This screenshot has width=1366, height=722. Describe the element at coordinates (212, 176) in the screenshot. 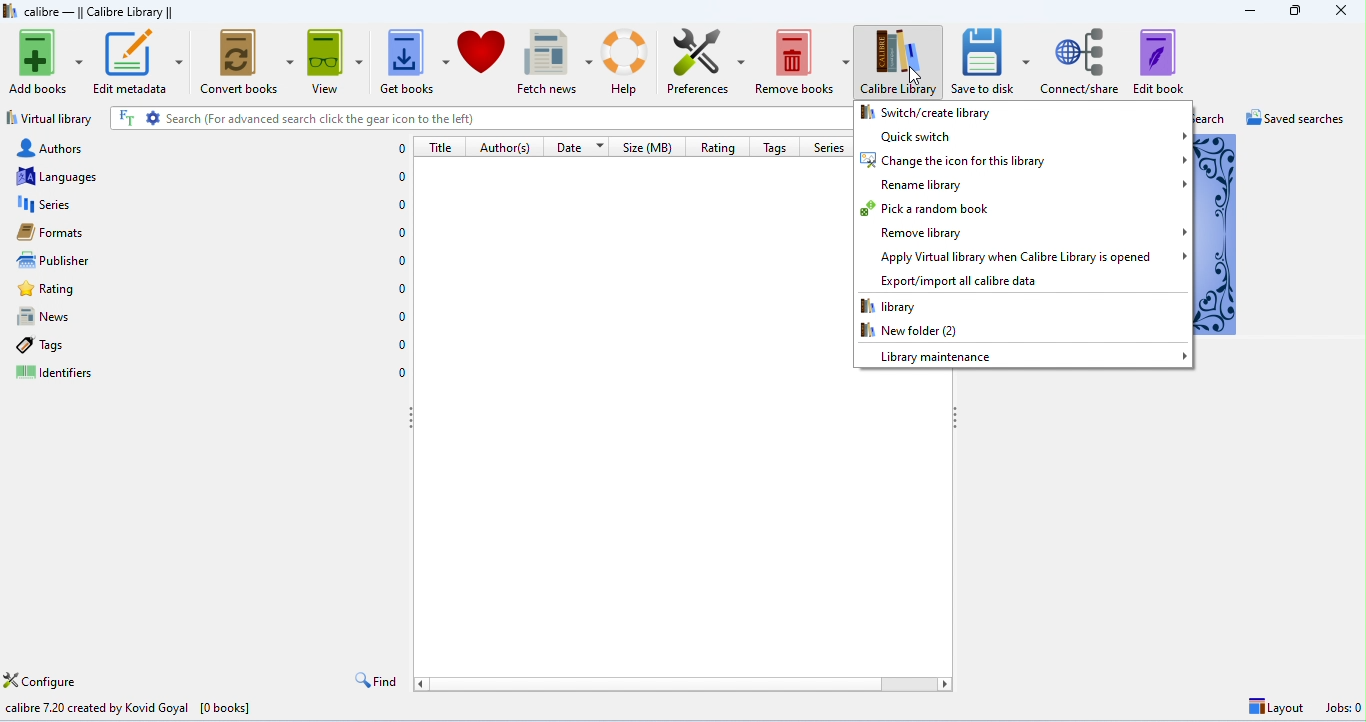

I see `languages` at that location.